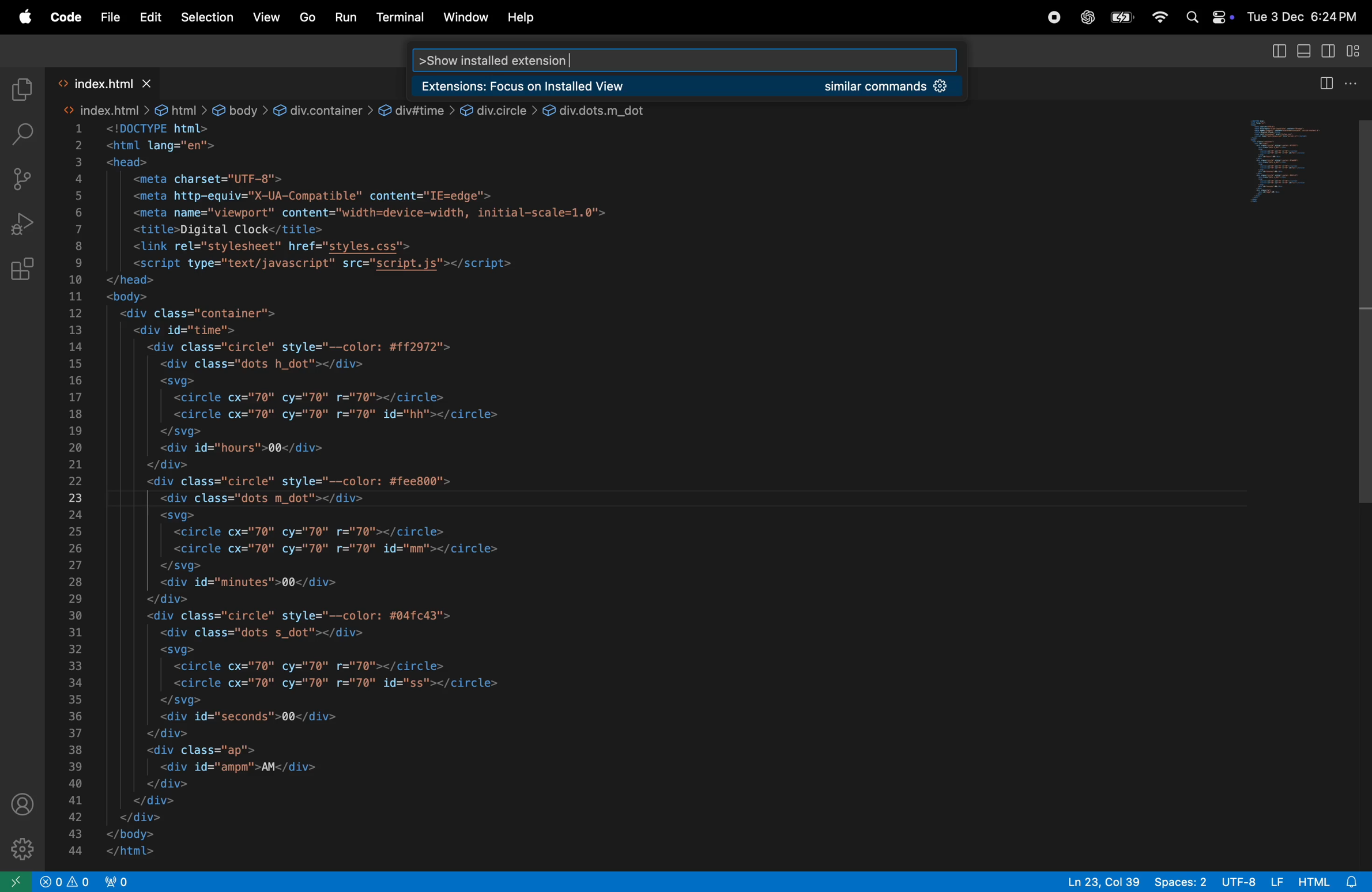 This screenshot has height=892, width=1372. I want to click on help, so click(526, 17).